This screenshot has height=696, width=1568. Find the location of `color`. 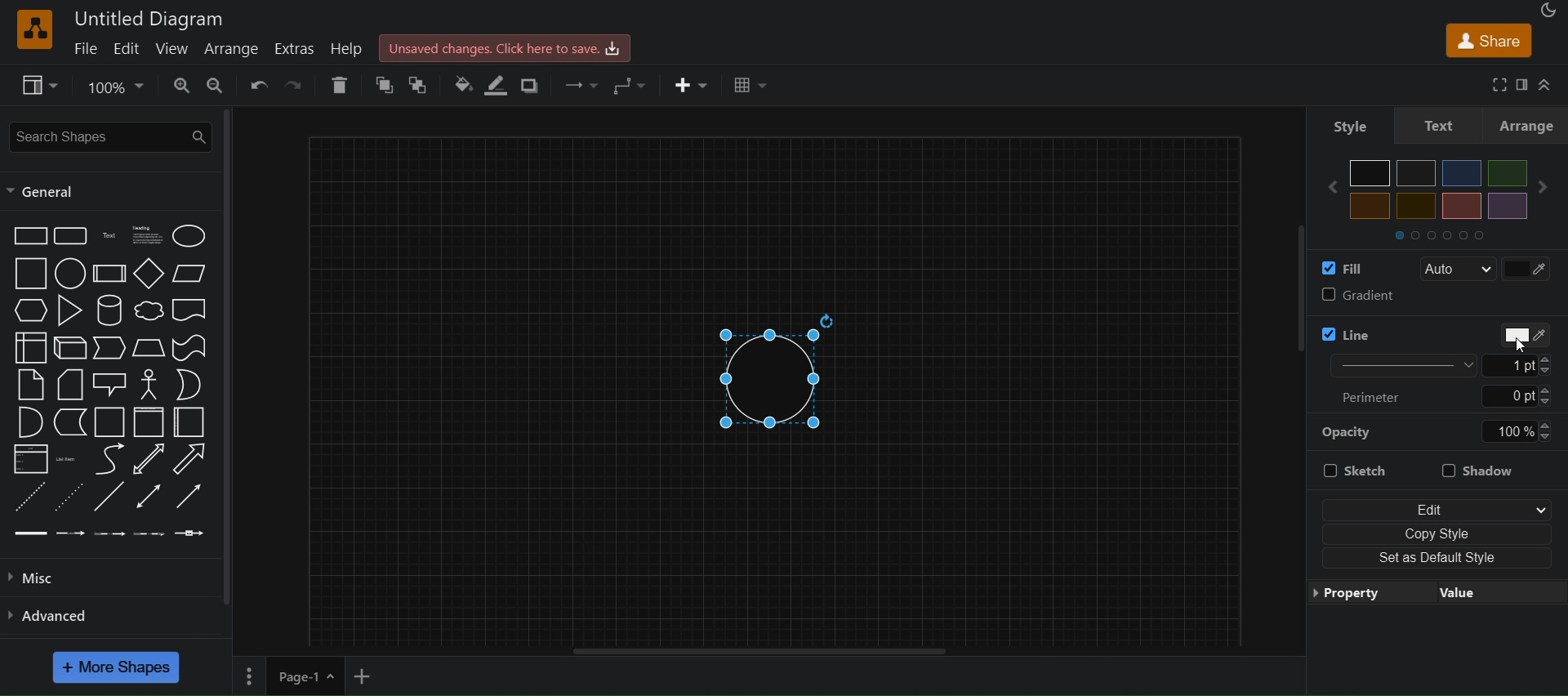

color is located at coordinates (1517, 334).